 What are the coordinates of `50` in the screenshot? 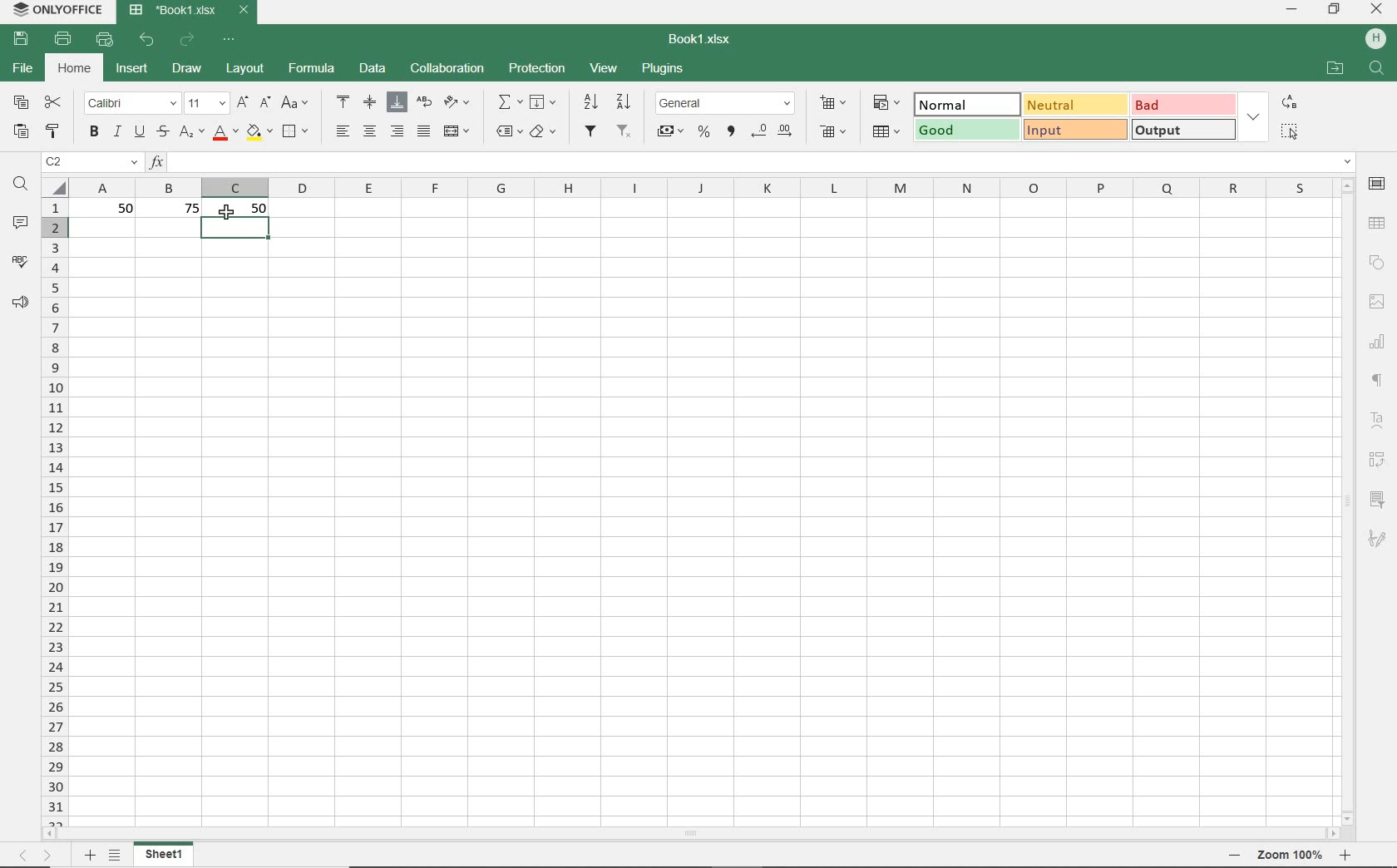 It's located at (259, 208).